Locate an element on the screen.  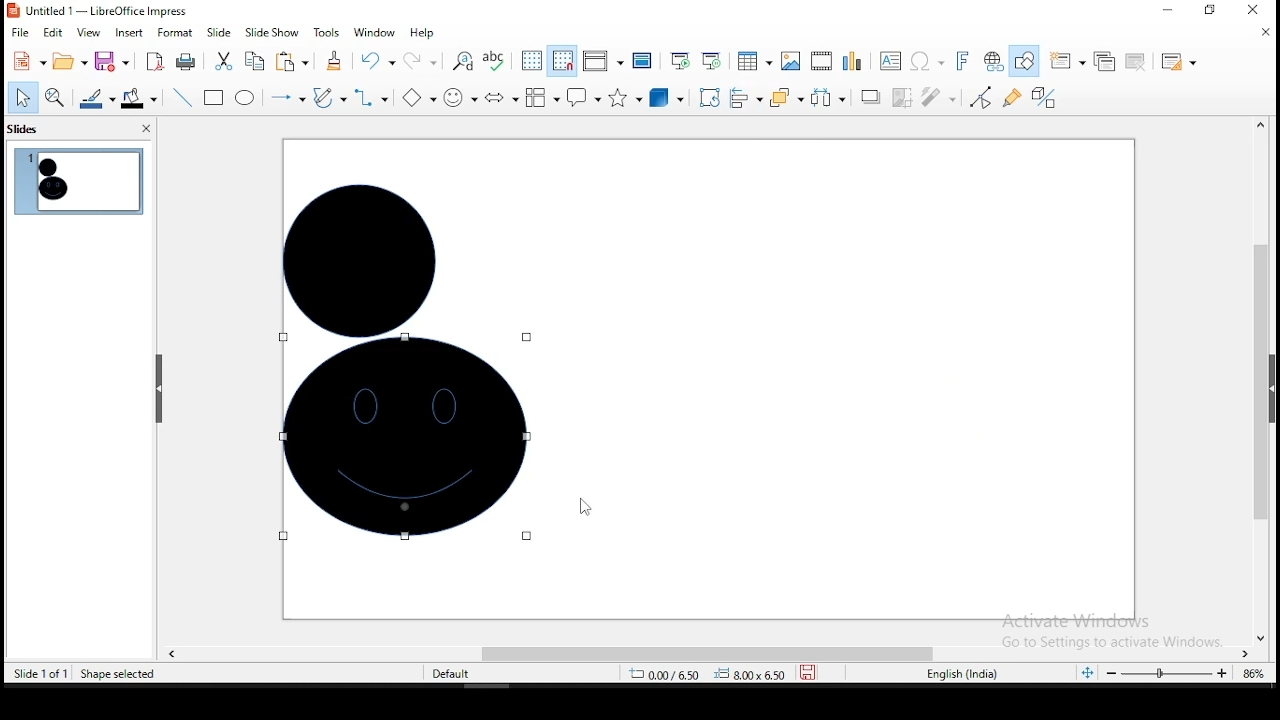
fit slide to current window is located at coordinates (1086, 671).